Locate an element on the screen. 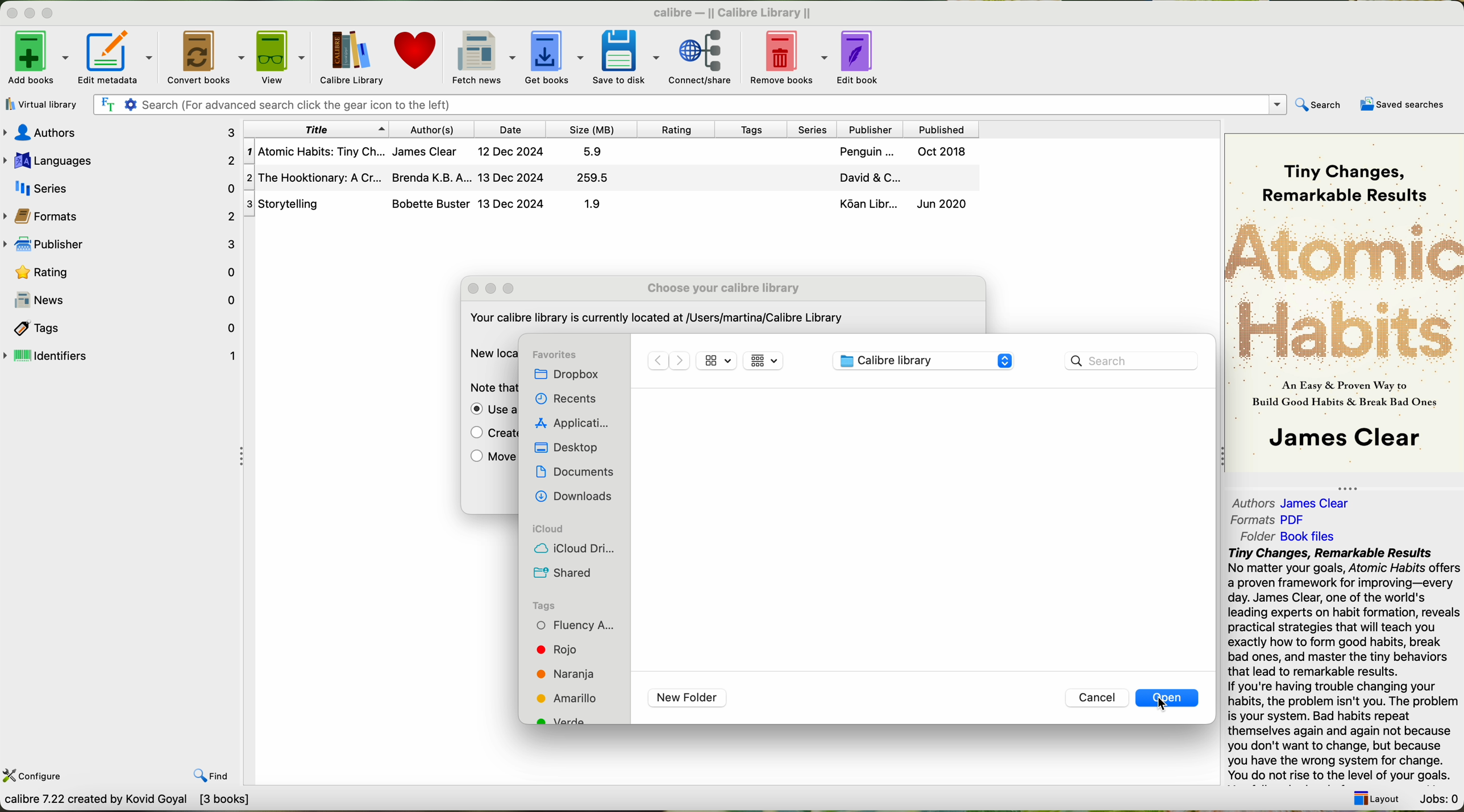  publisher is located at coordinates (122, 245).